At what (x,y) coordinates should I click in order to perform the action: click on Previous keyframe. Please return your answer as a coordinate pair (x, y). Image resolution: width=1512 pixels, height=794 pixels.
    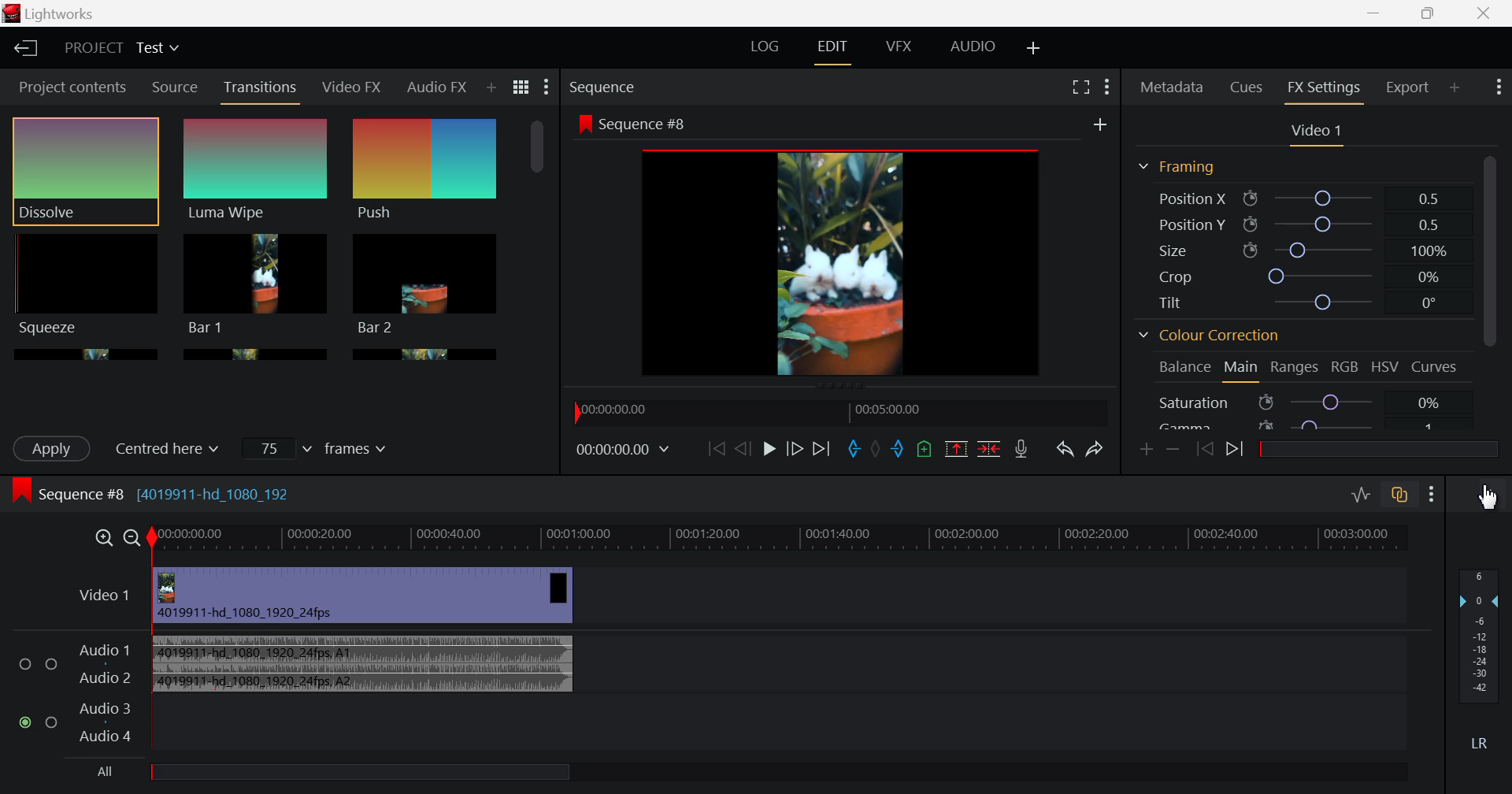
    Looking at the image, I should click on (1202, 447).